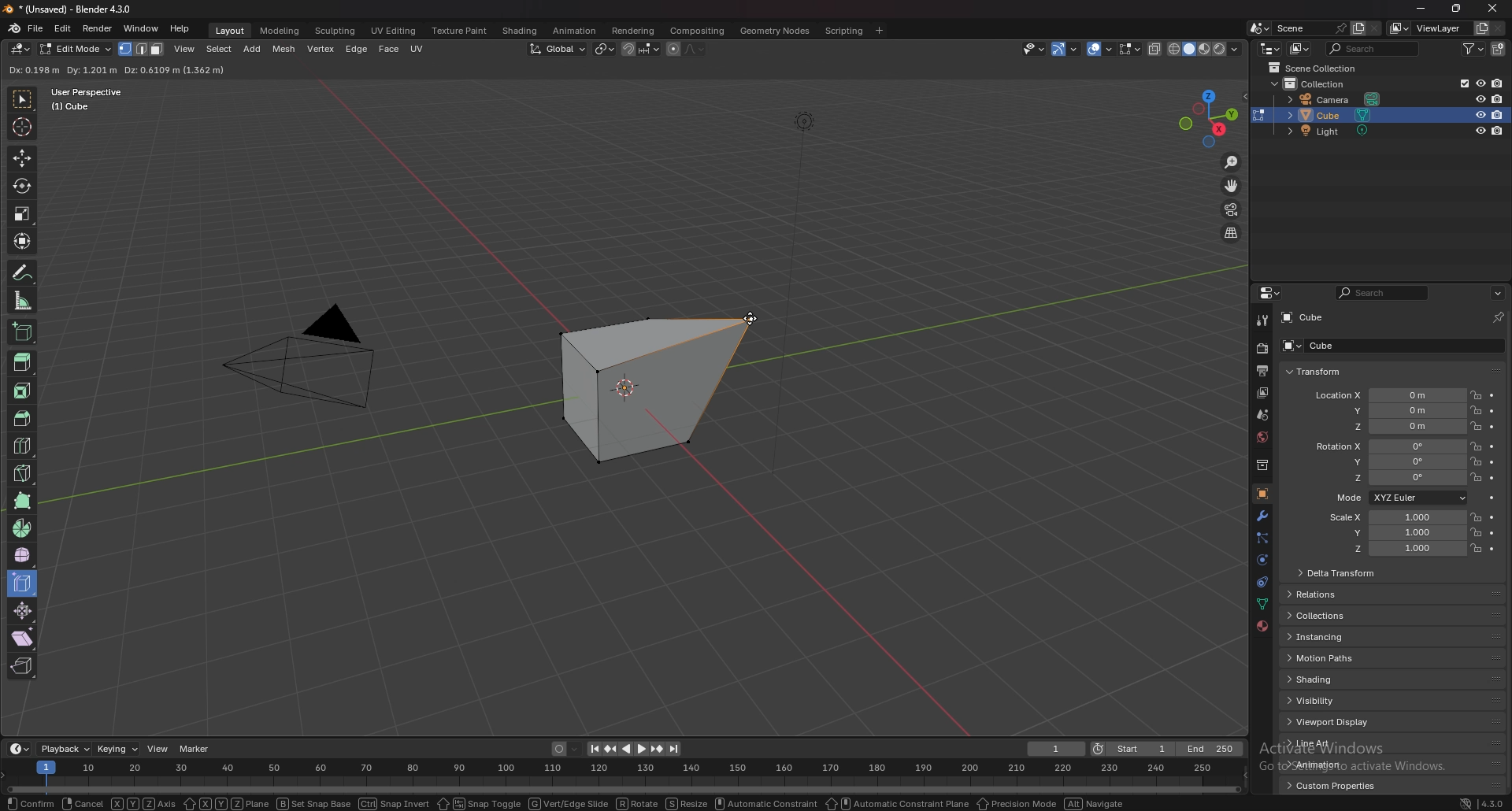  Describe the element at coordinates (23, 583) in the screenshot. I see `edge slide` at that location.